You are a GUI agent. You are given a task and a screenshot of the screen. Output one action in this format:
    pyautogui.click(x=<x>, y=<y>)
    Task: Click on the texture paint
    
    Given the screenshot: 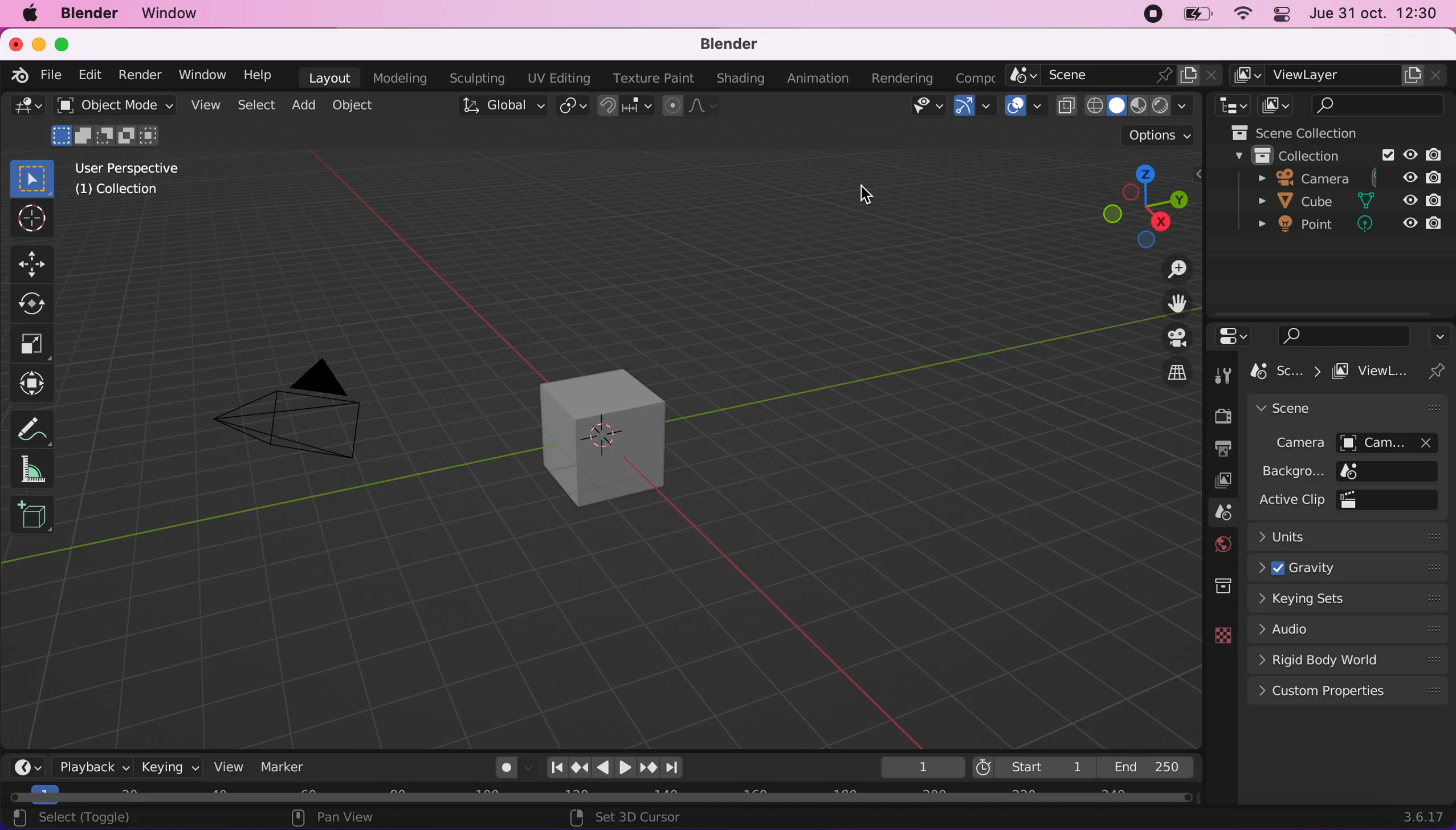 What is the action you would take?
    pyautogui.click(x=654, y=78)
    